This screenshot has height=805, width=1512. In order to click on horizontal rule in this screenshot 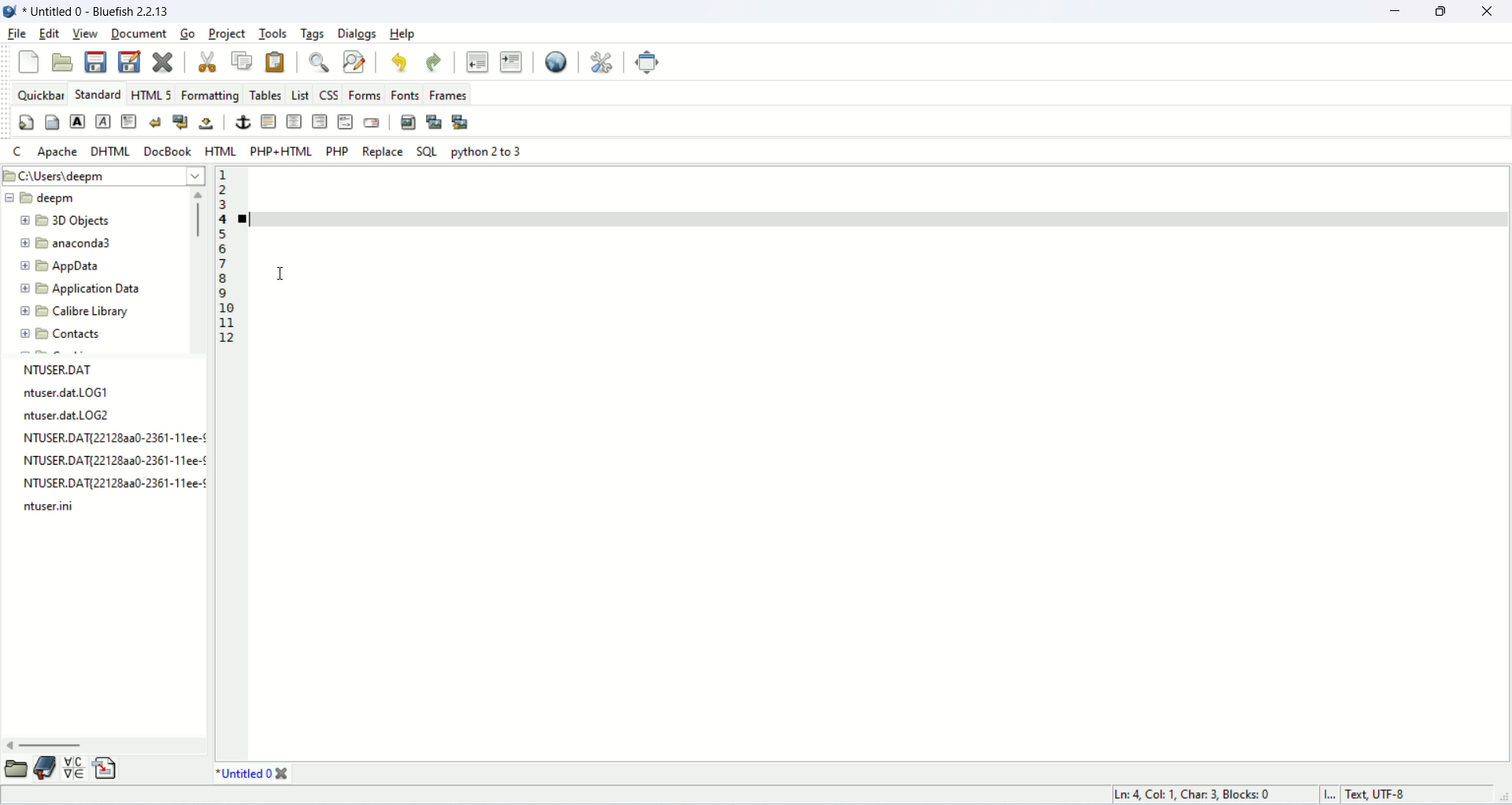, I will do `click(266, 120)`.